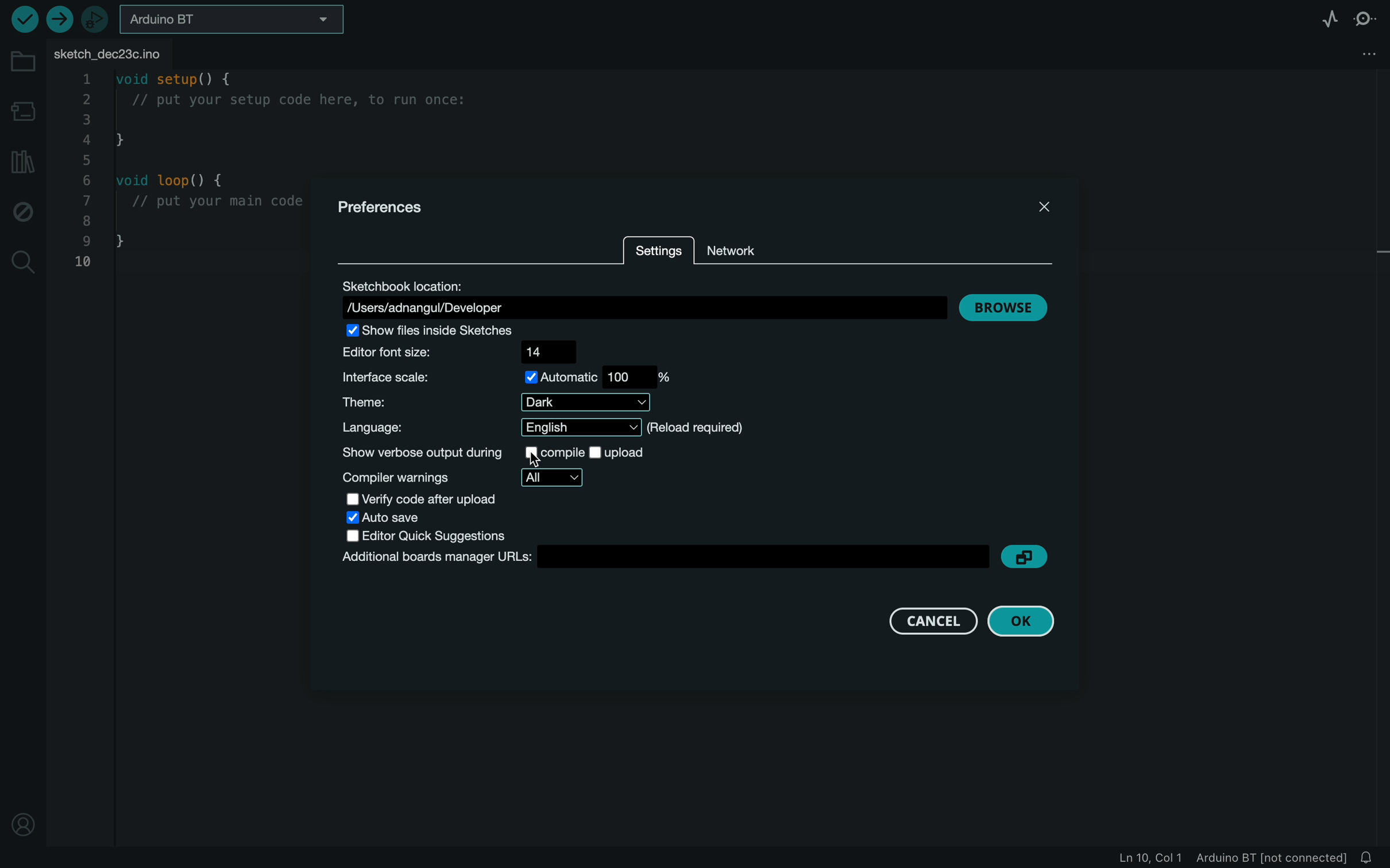 This screenshot has width=1390, height=868. What do you see at coordinates (539, 428) in the screenshot?
I see `language` at bounding box center [539, 428].